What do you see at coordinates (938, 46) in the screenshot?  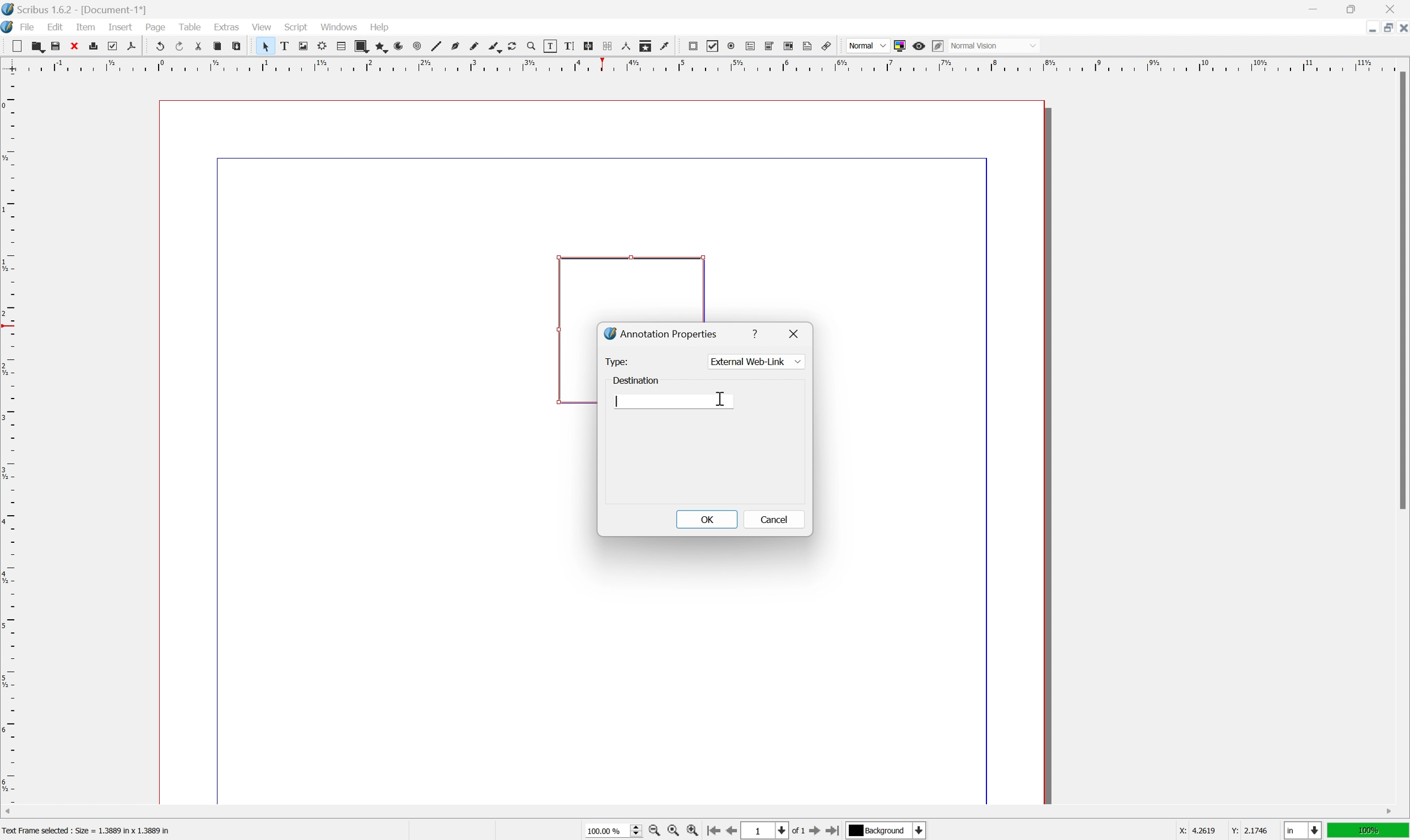 I see `edit in preview mode` at bounding box center [938, 46].